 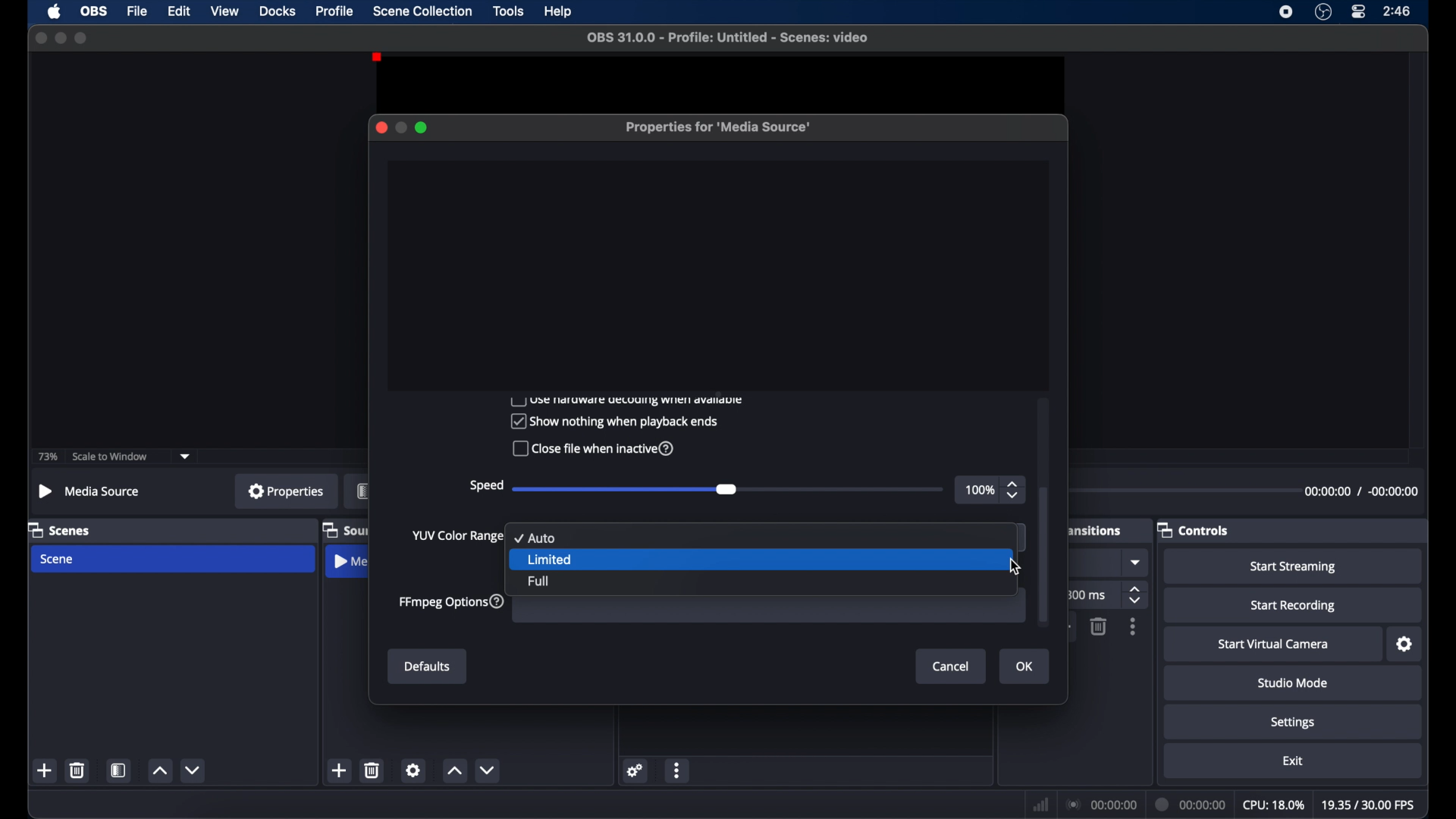 I want to click on limited, so click(x=551, y=559).